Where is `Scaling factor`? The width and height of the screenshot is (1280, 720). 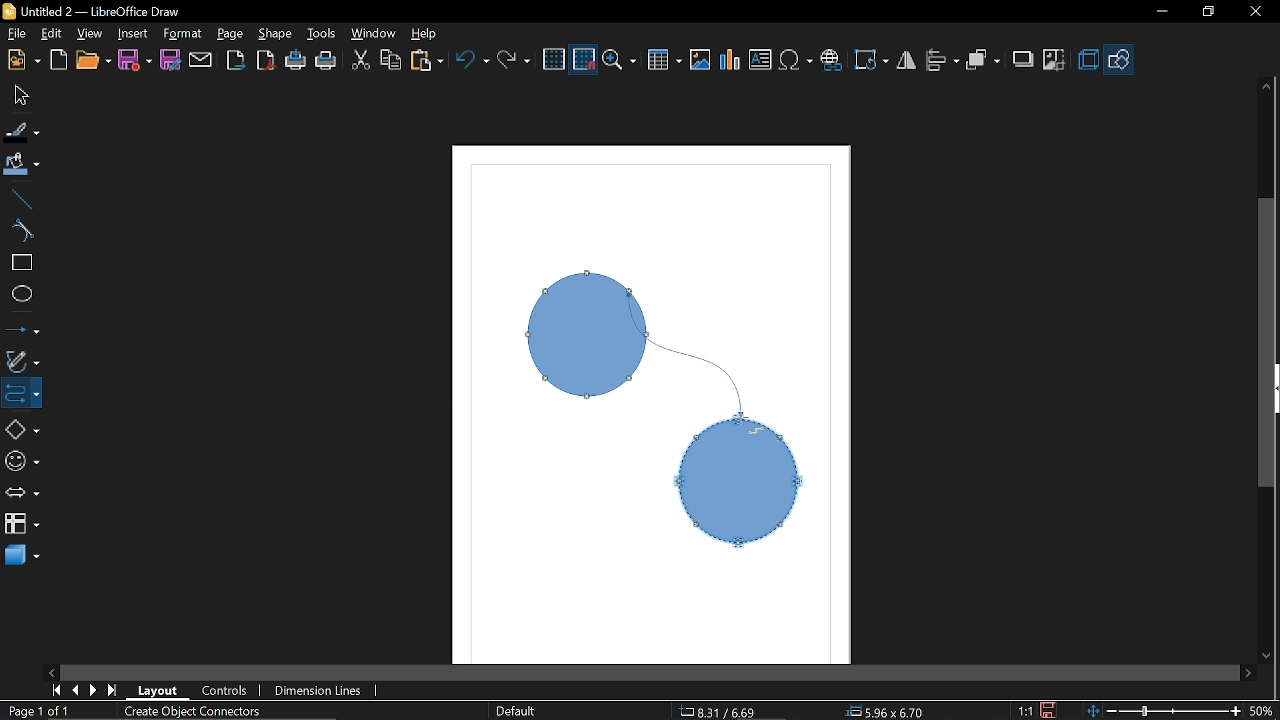 Scaling factor is located at coordinates (1026, 710).